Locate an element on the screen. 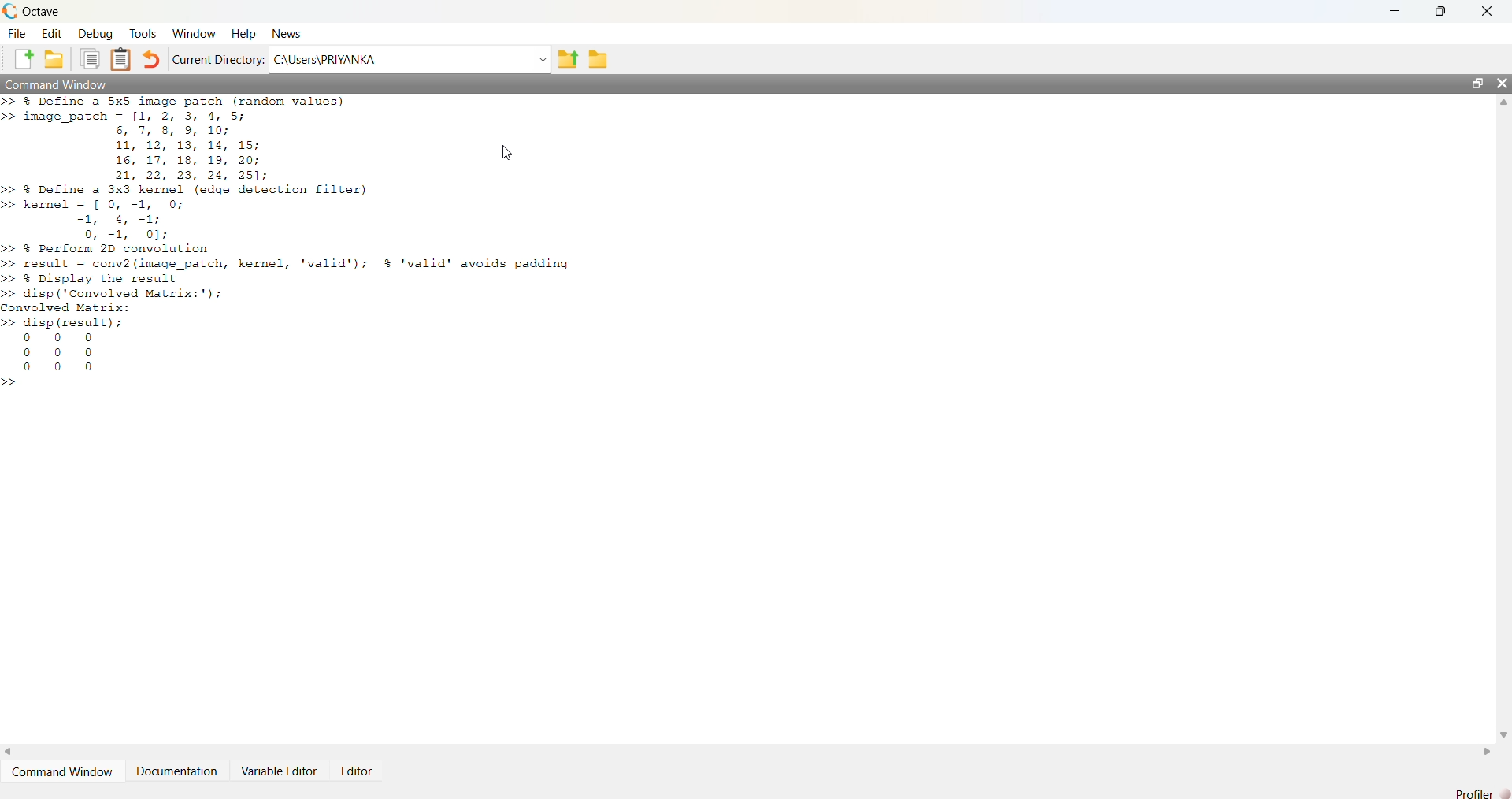 The height and width of the screenshot is (799, 1512). Command Window is located at coordinates (68, 84).